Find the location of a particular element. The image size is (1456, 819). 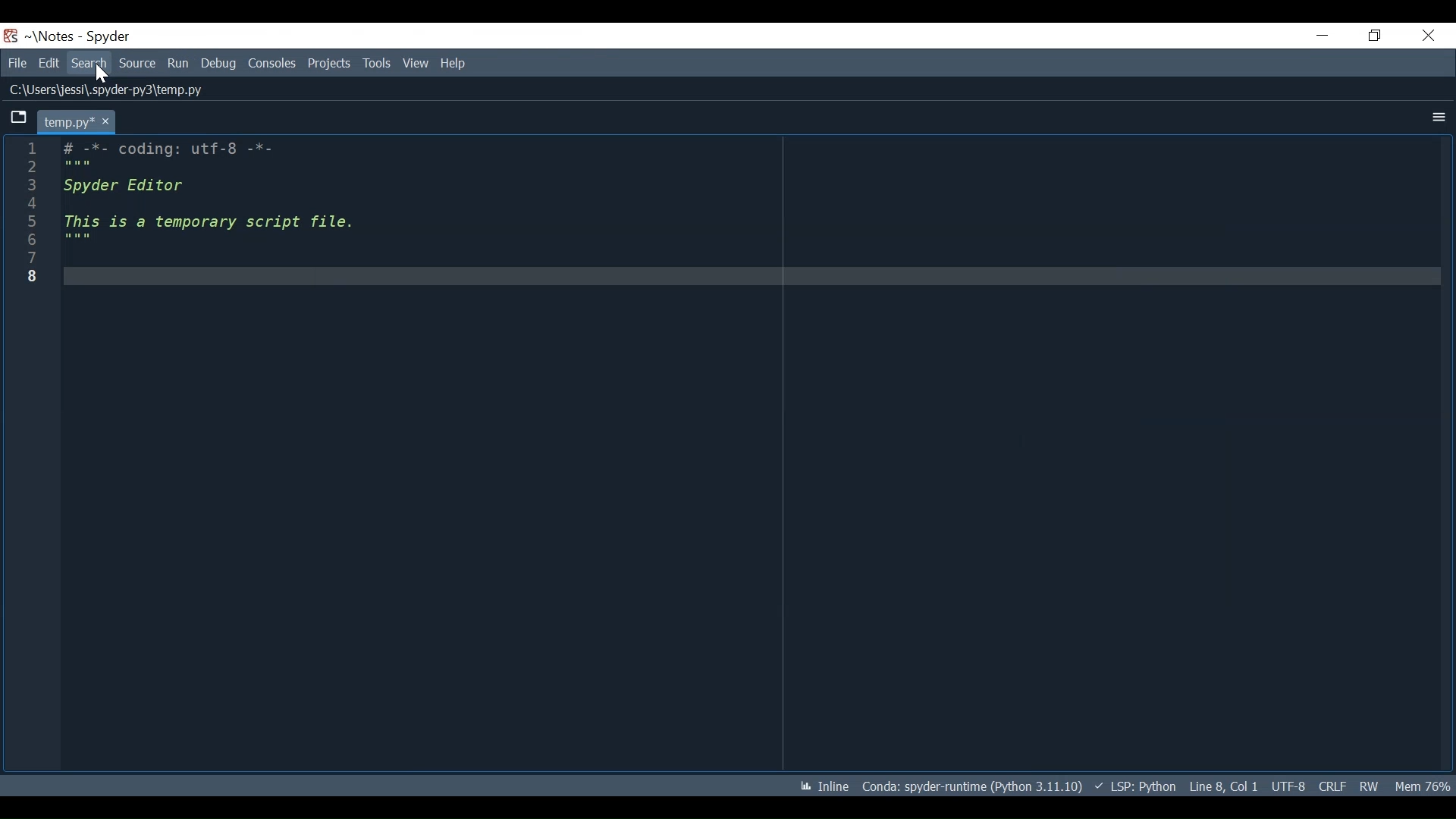

File EQL Status is located at coordinates (1334, 785).